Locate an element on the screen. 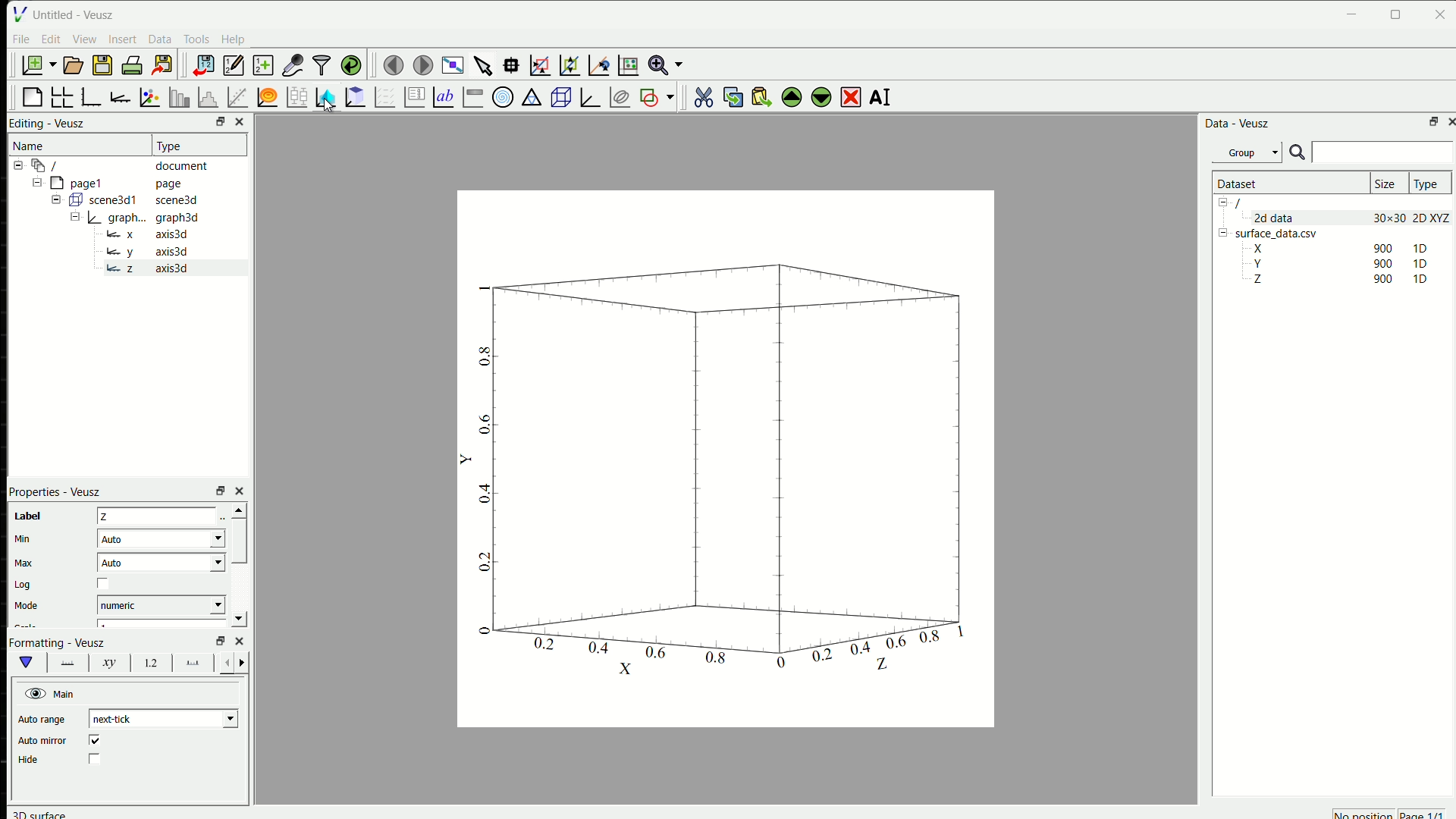 This screenshot has height=819, width=1456. / is located at coordinates (49, 165).